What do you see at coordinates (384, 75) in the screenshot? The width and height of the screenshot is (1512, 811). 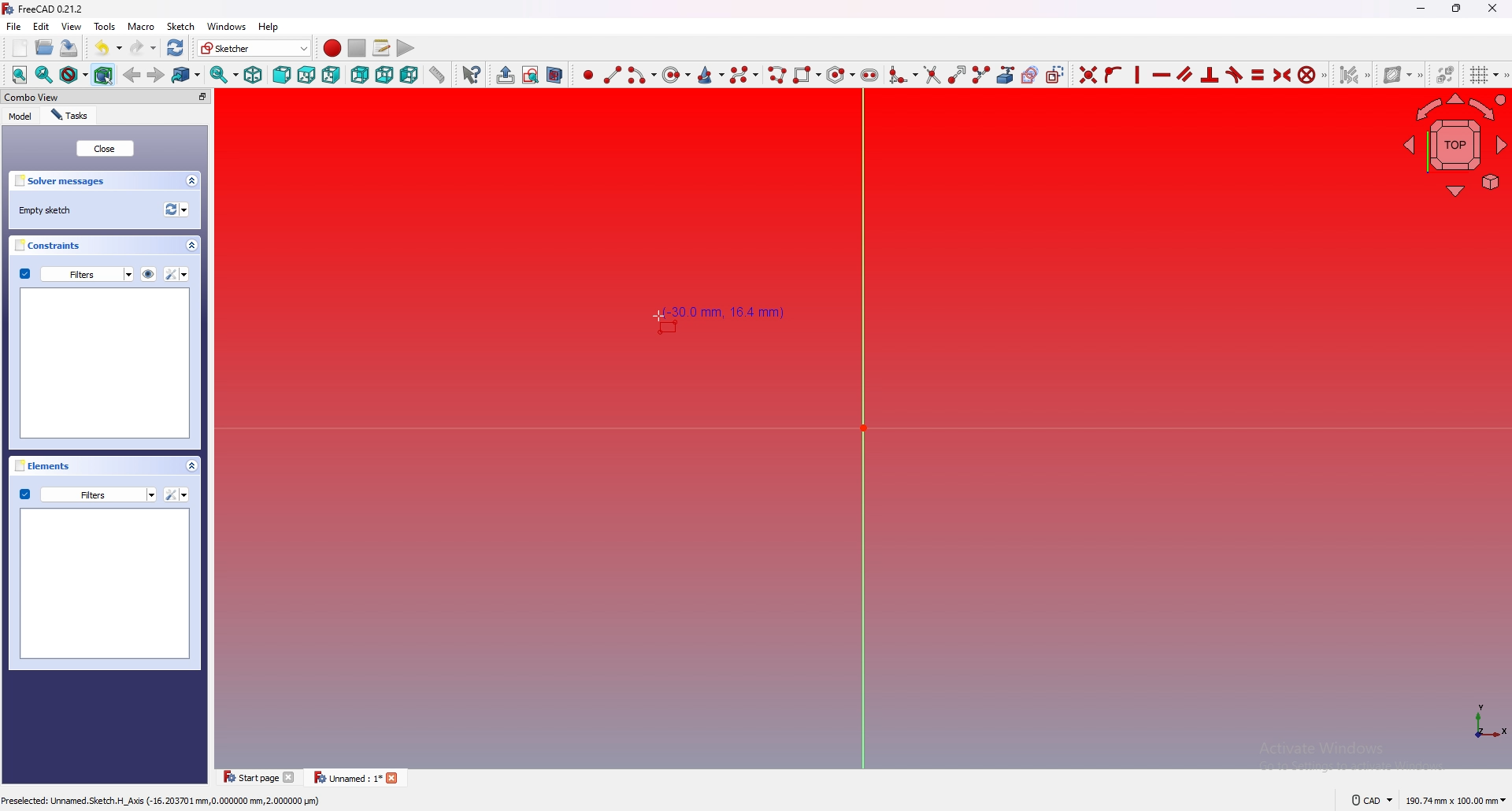 I see `bottom` at bounding box center [384, 75].